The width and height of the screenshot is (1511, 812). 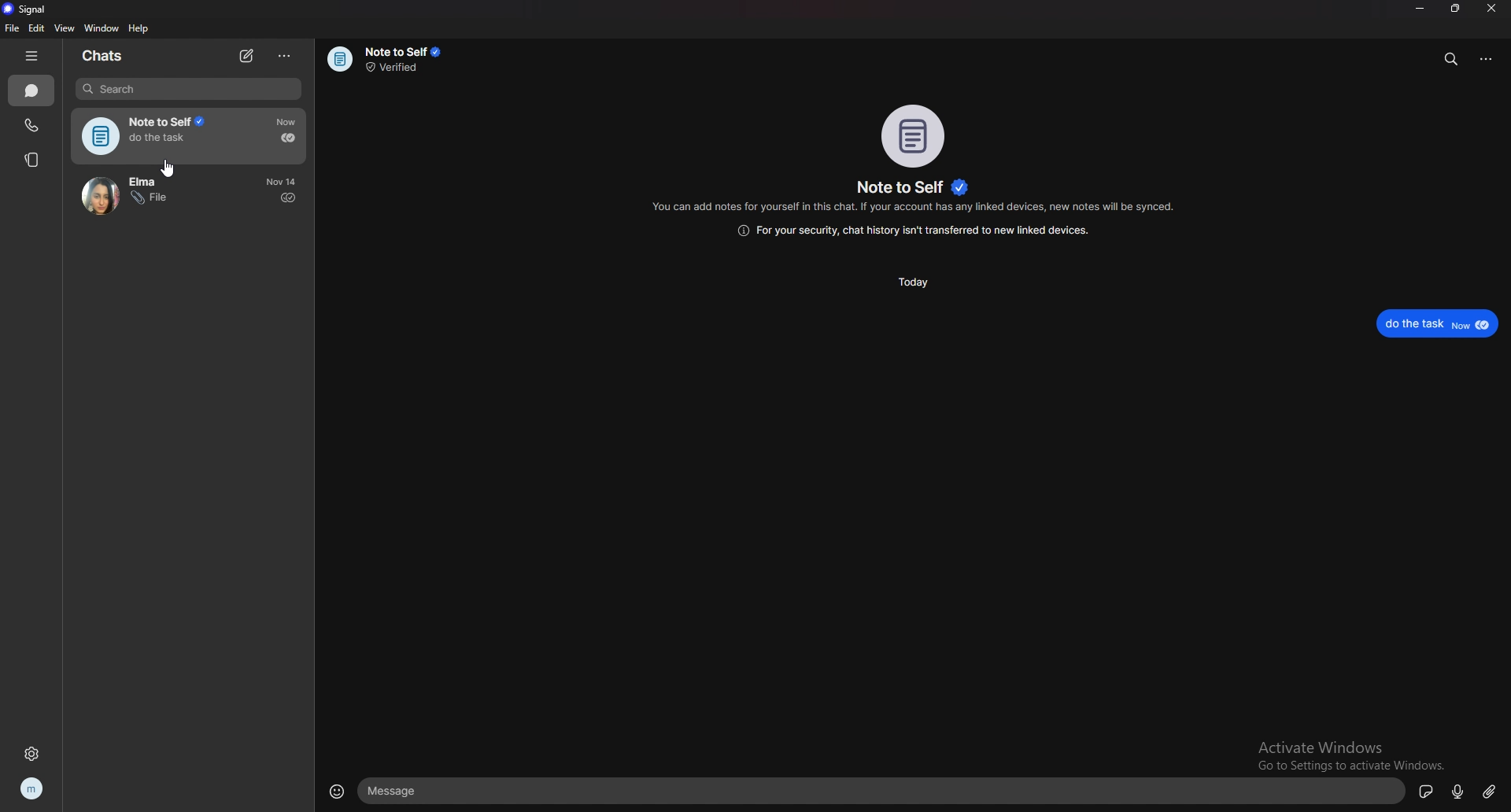 I want to click on voice message, so click(x=1458, y=790).